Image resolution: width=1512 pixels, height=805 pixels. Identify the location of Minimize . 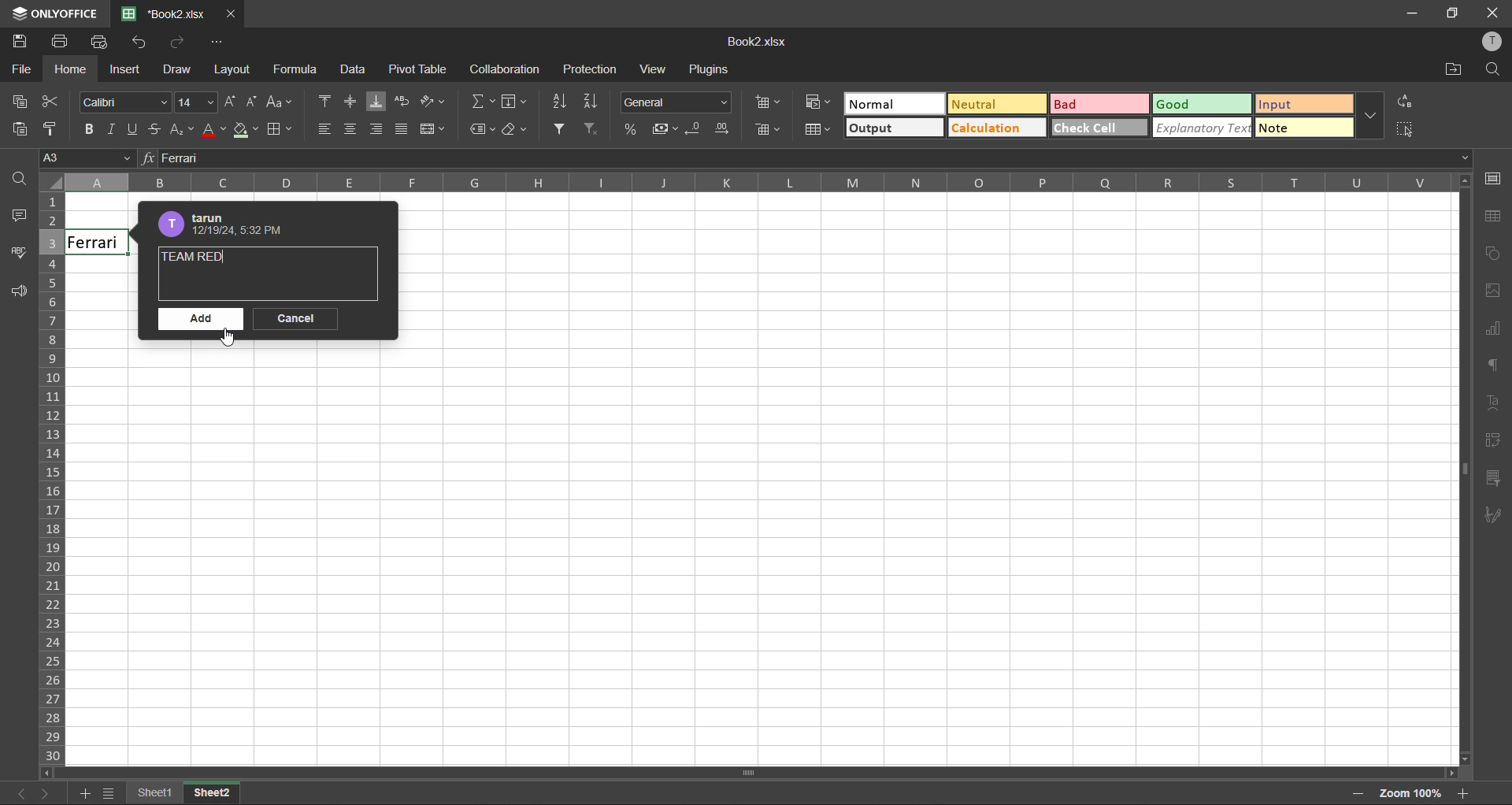
(1413, 13).